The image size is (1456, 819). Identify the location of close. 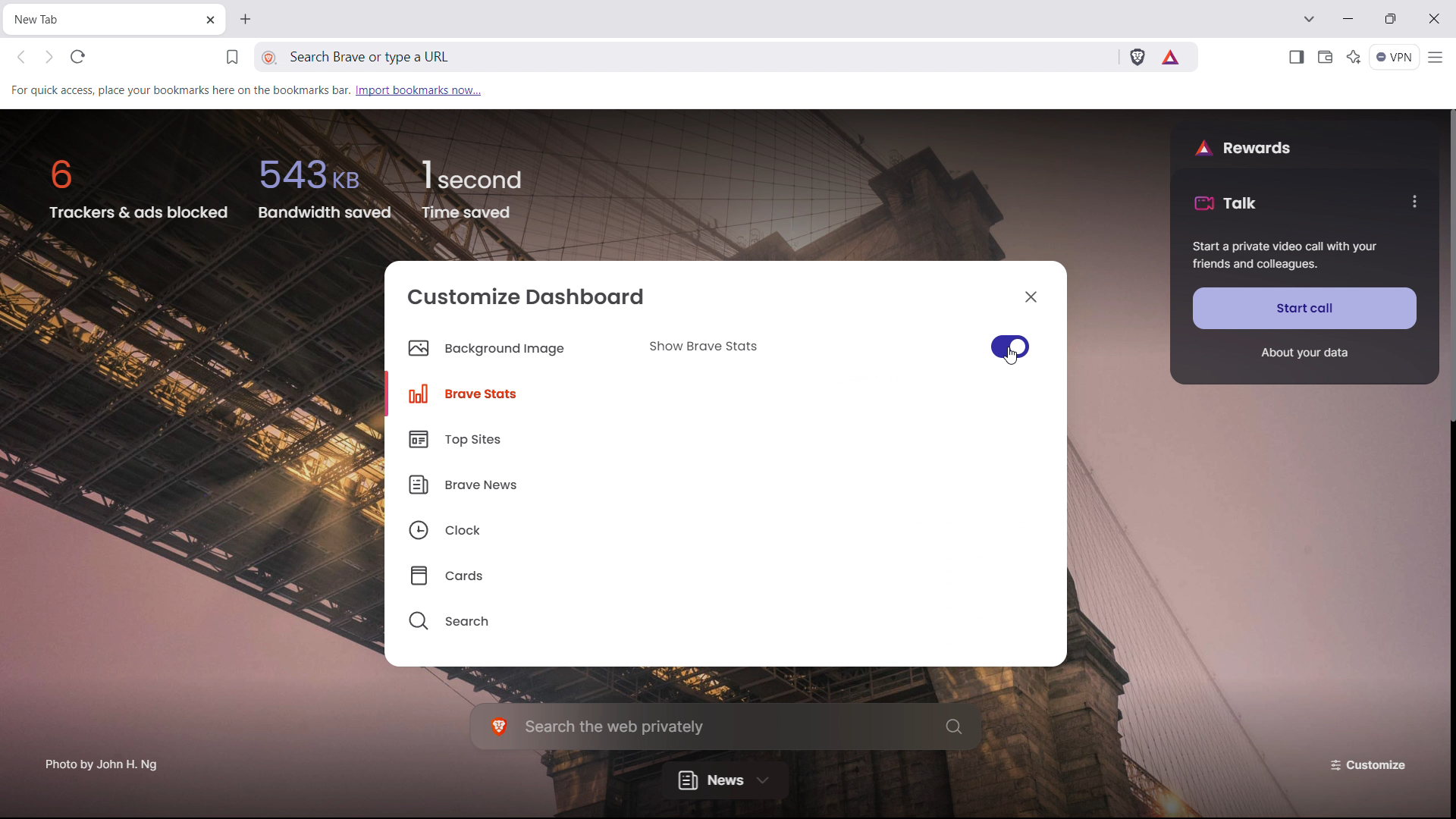
(1432, 19).